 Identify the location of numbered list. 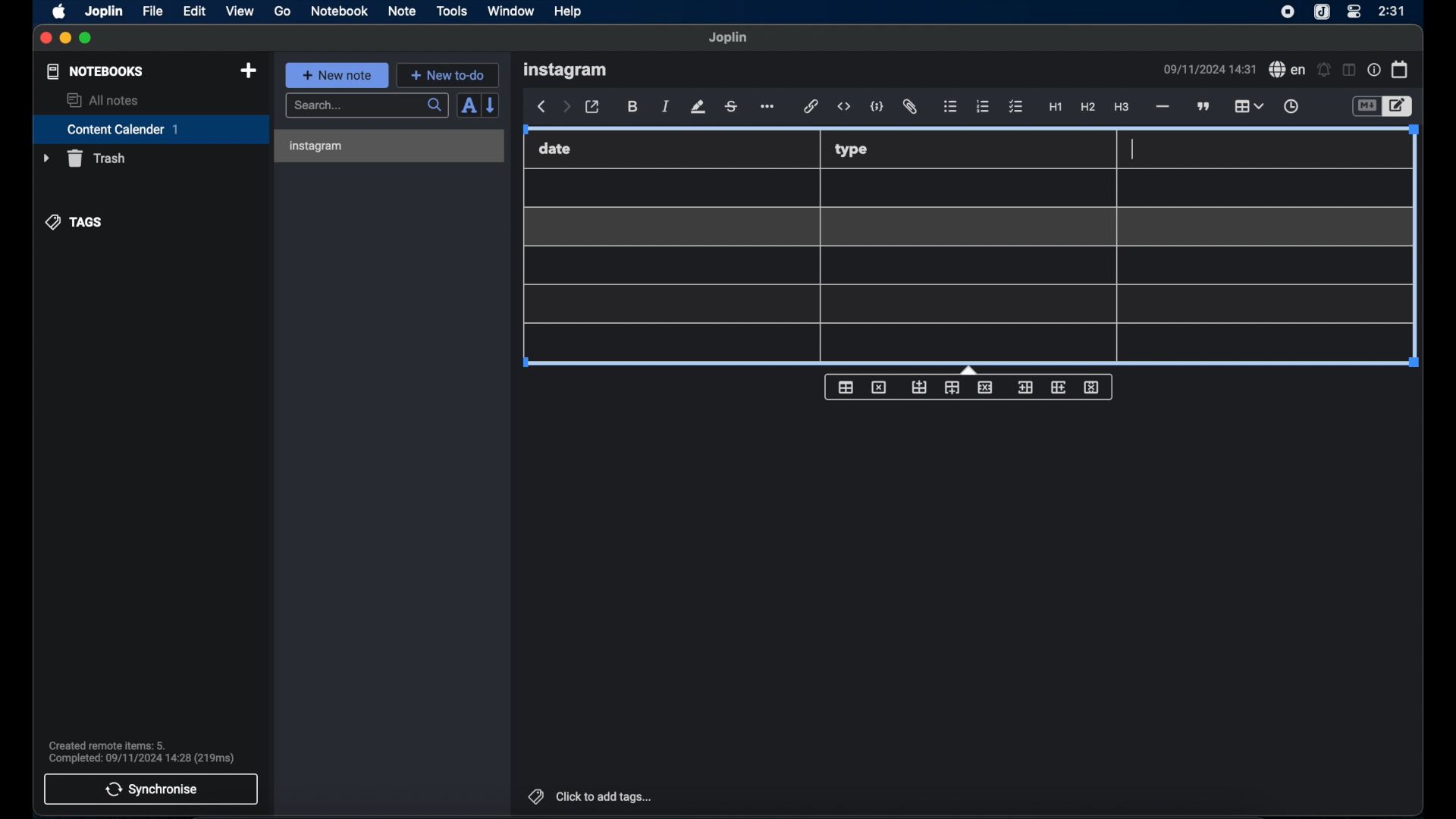
(984, 107).